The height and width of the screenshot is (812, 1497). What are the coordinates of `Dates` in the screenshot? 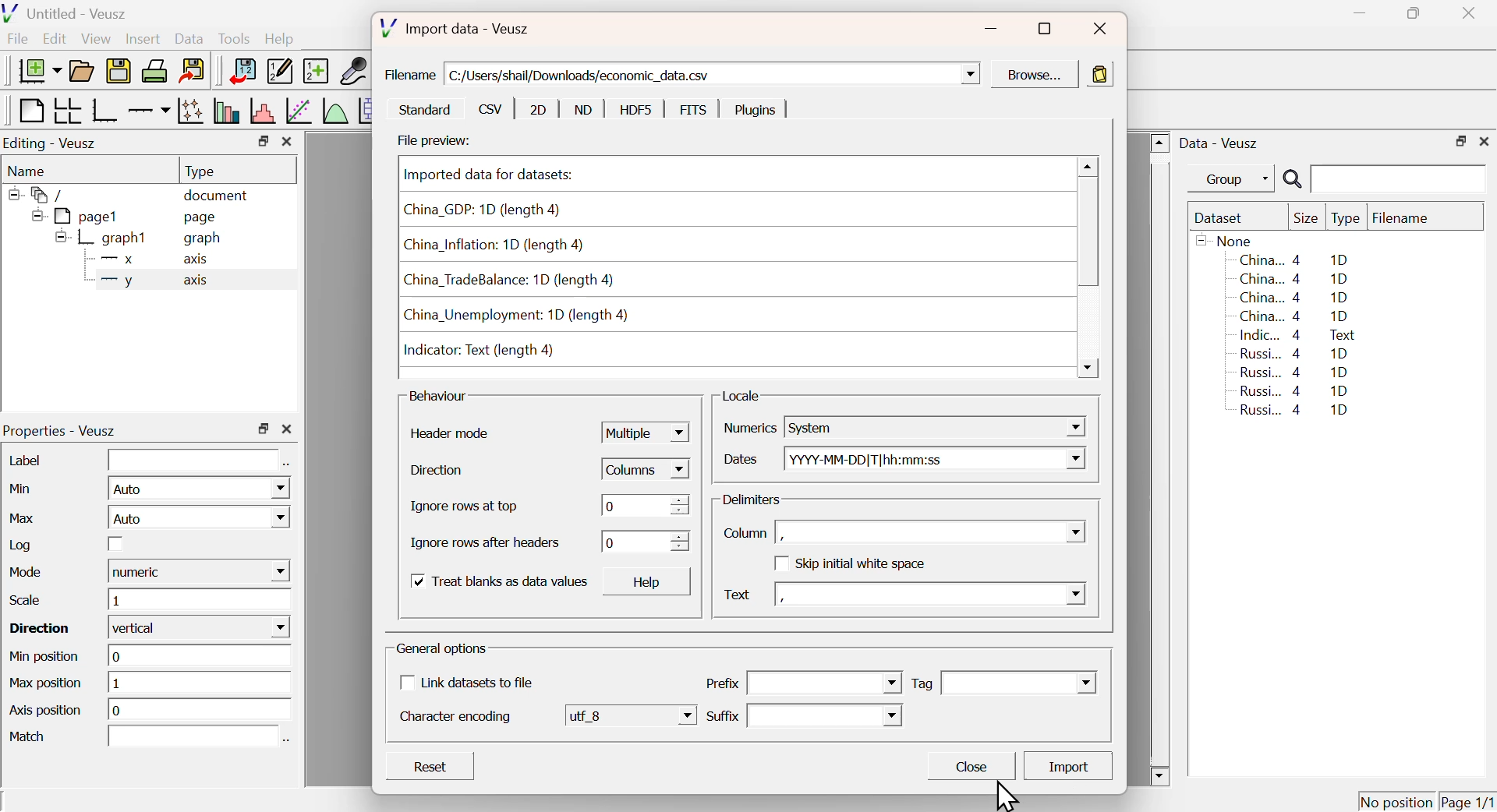 It's located at (739, 459).